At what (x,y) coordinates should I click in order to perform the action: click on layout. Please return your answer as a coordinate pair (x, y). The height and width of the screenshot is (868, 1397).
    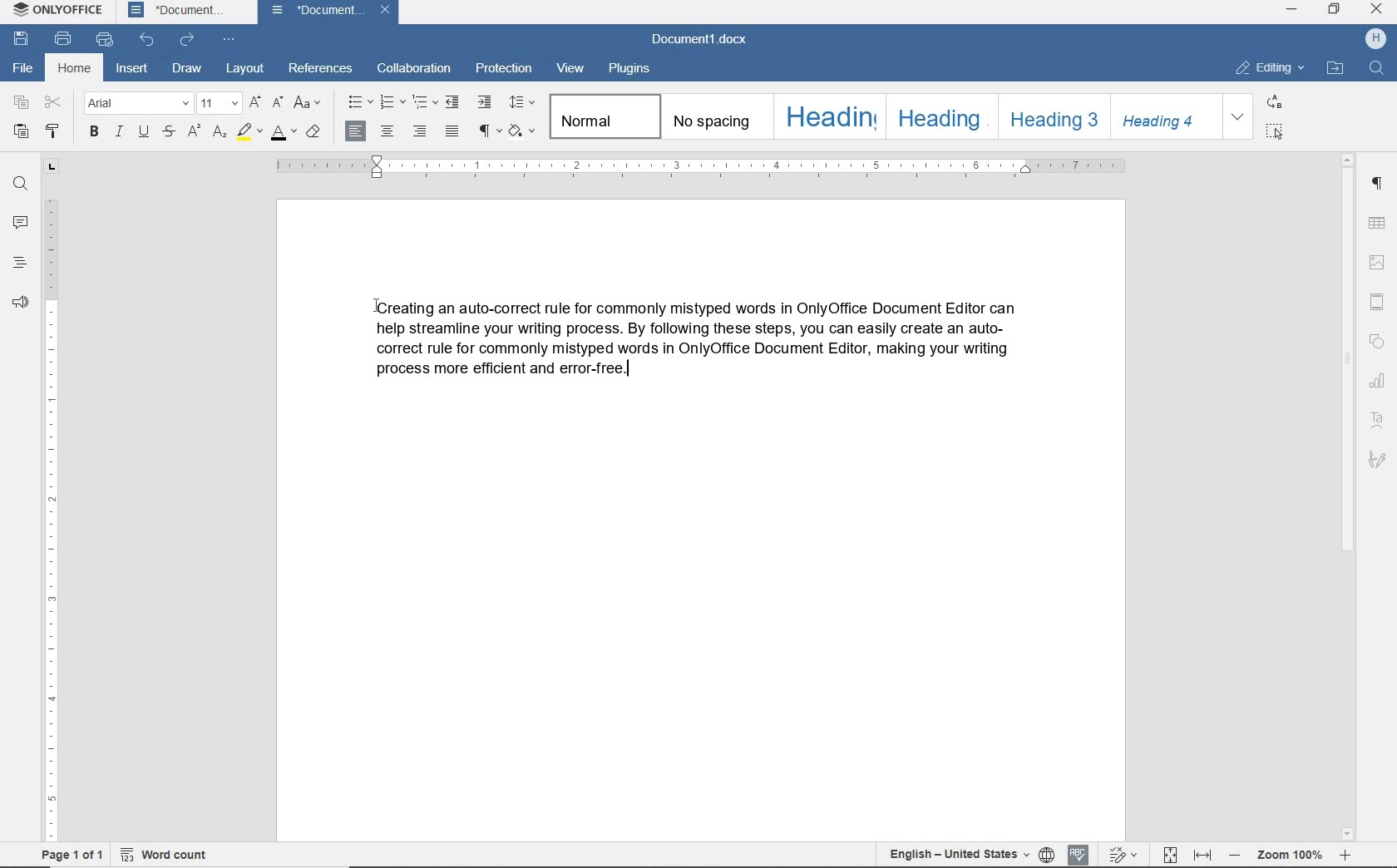
    Looking at the image, I should click on (243, 68).